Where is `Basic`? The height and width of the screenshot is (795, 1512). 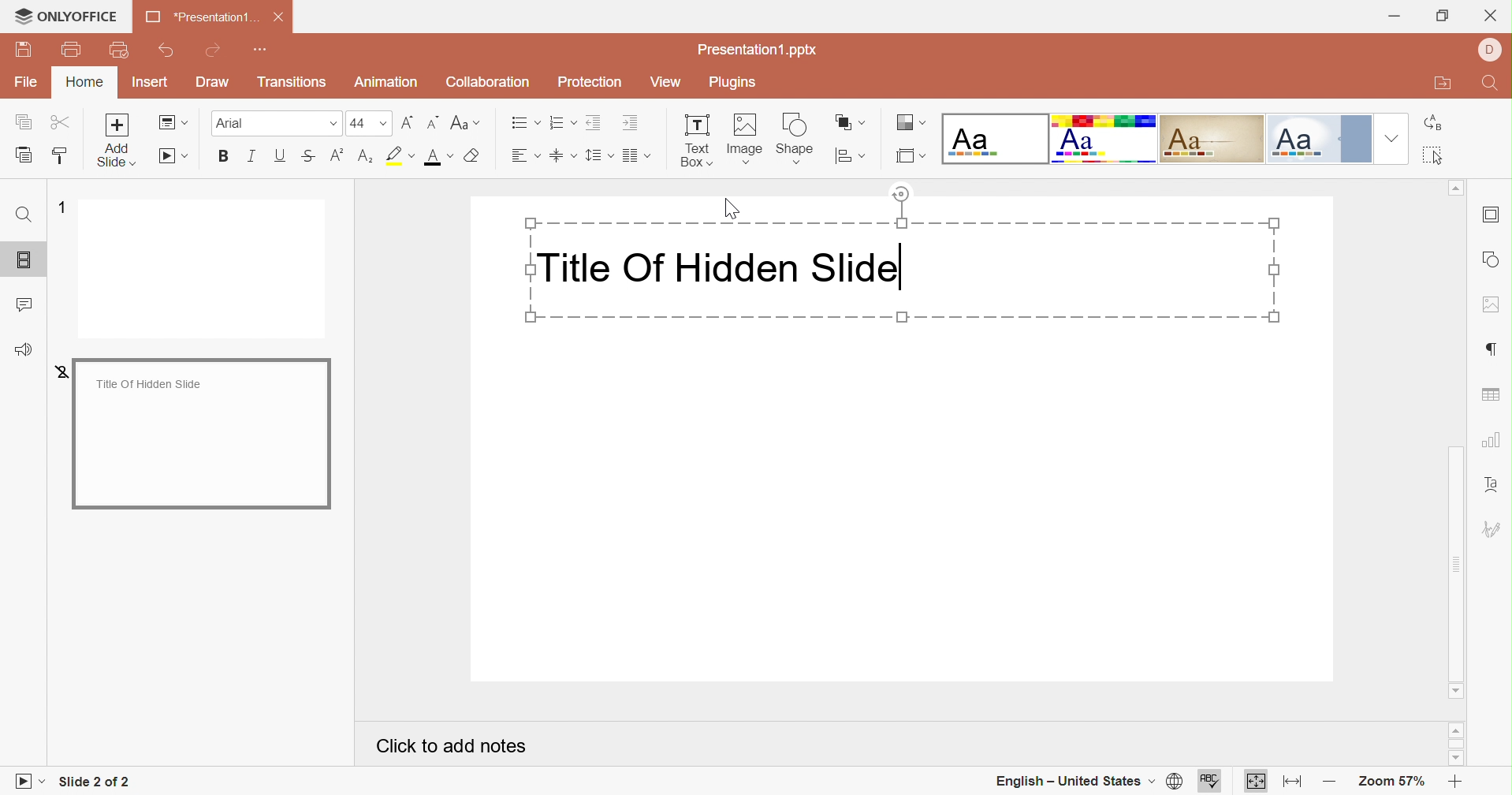
Basic is located at coordinates (1103, 140).